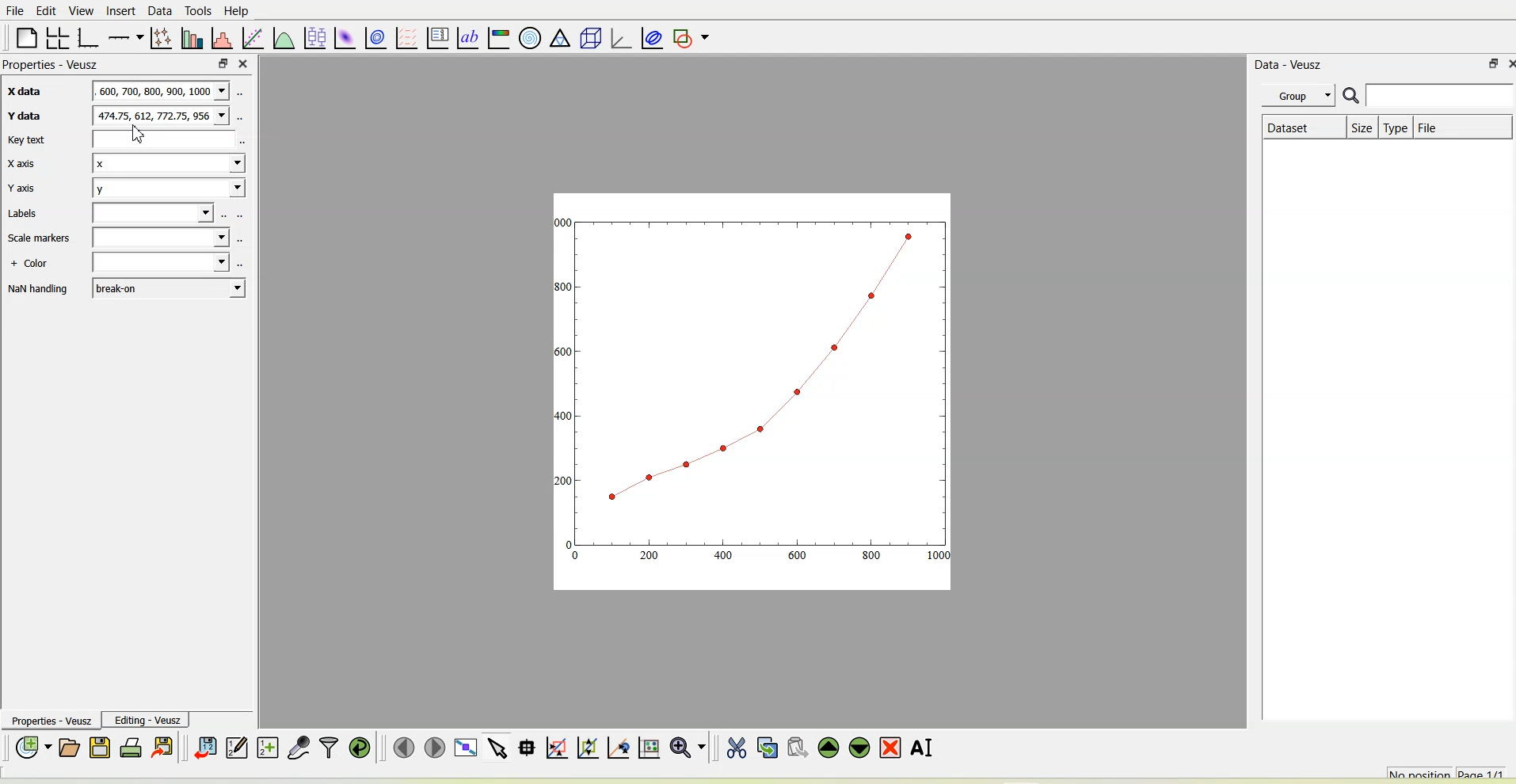 This screenshot has width=1516, height=784. What do you see at coordinates (244, 64) in the screenshot?
I see `close` at bounding box center [244, 64].